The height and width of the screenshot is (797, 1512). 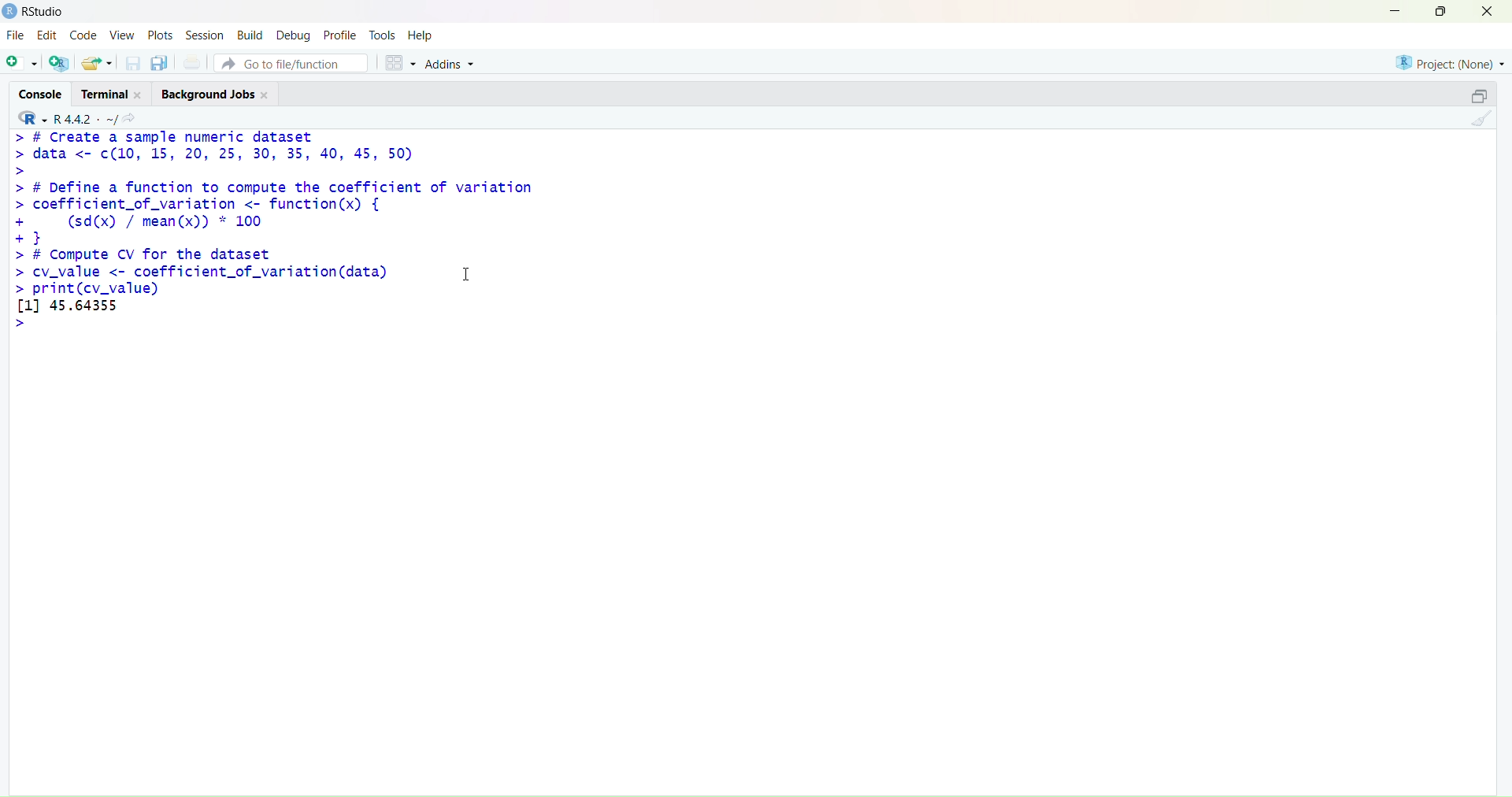 What do you see at coordinates (1441, 10) in the screenshot?
I see `maximise` at bounding box center [1441, 10].